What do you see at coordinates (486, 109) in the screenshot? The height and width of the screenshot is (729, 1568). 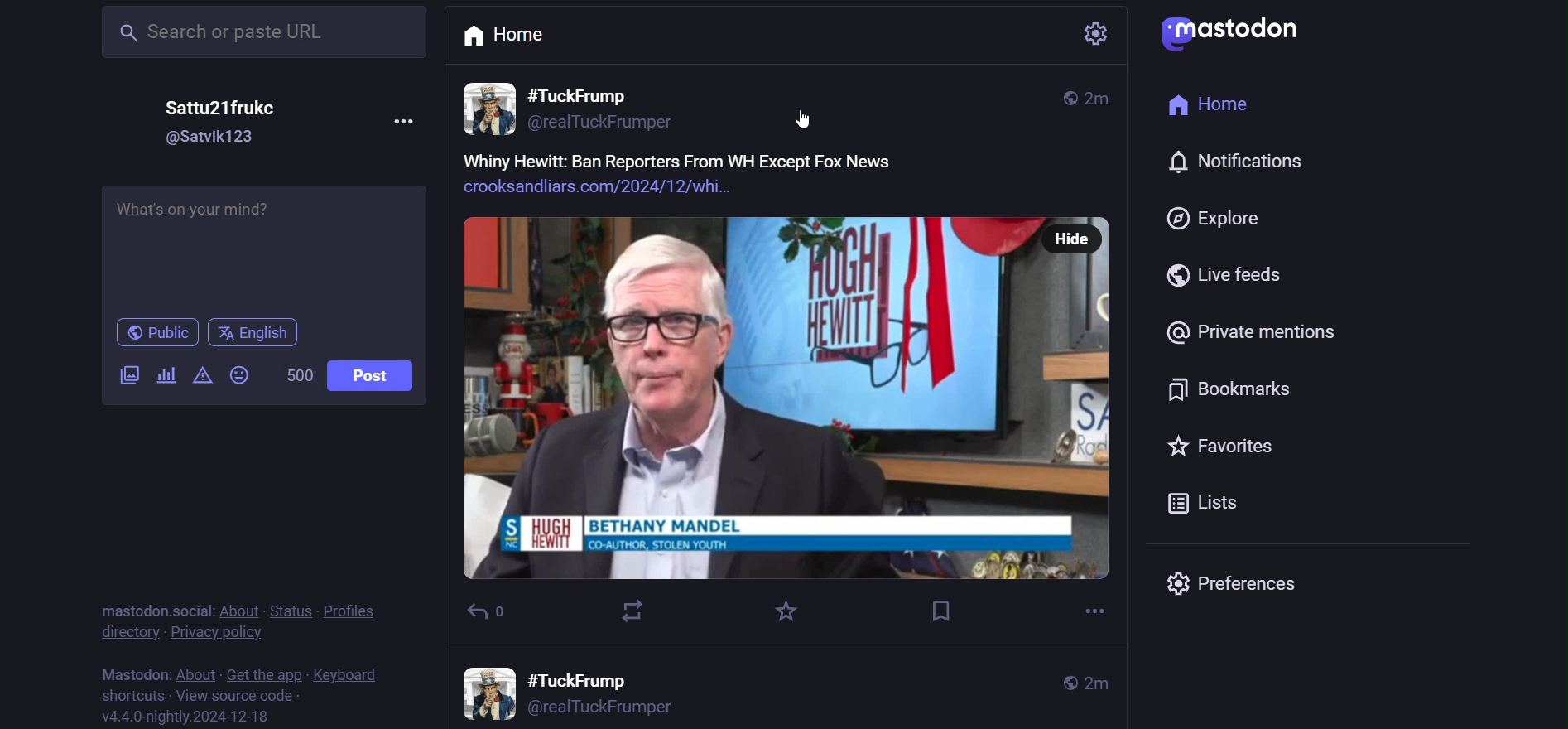 I see `profile picture` at bounding box center [486, 109].